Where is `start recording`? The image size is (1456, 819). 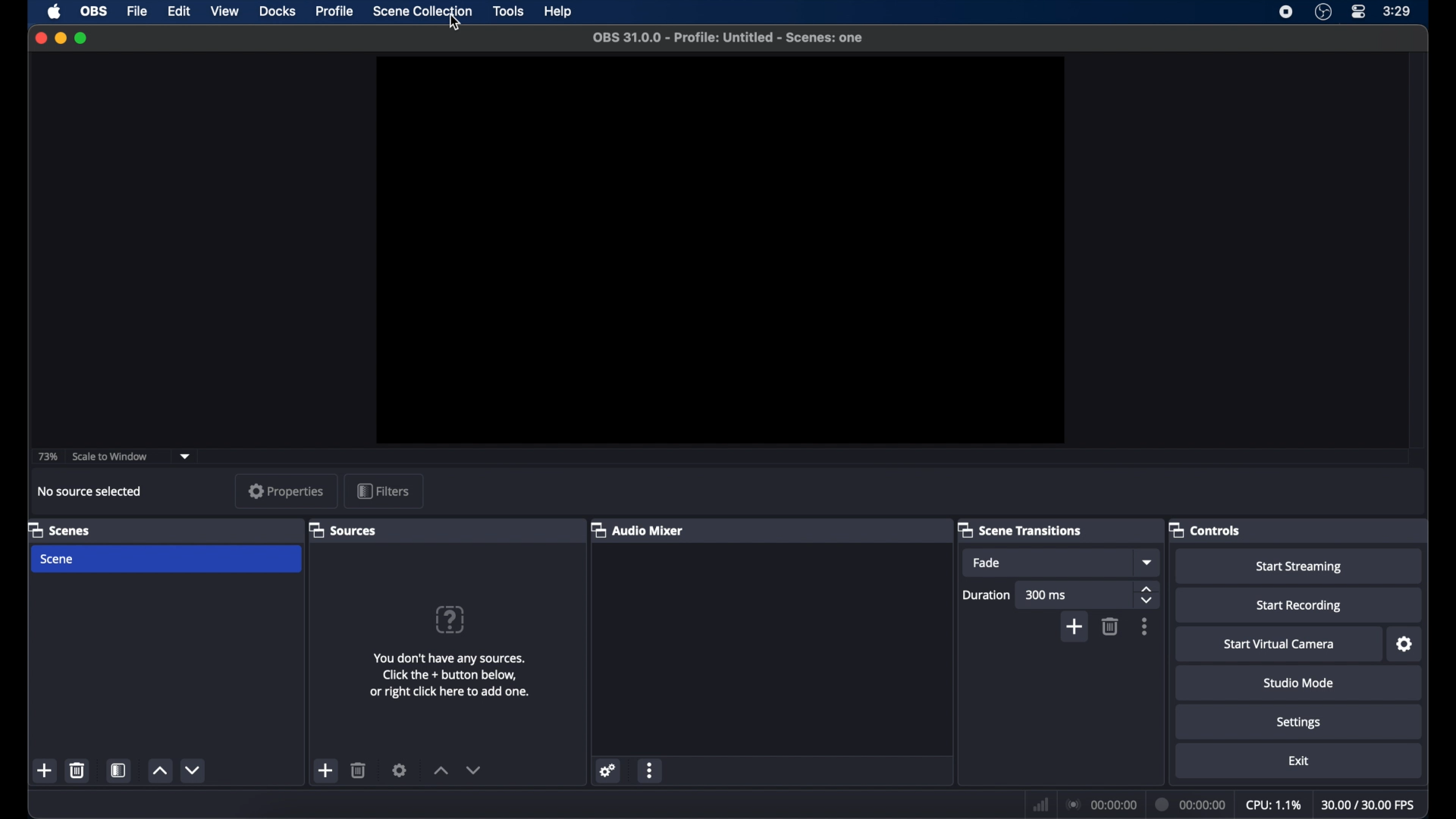
start recording is located at coordinates (1301, 606).